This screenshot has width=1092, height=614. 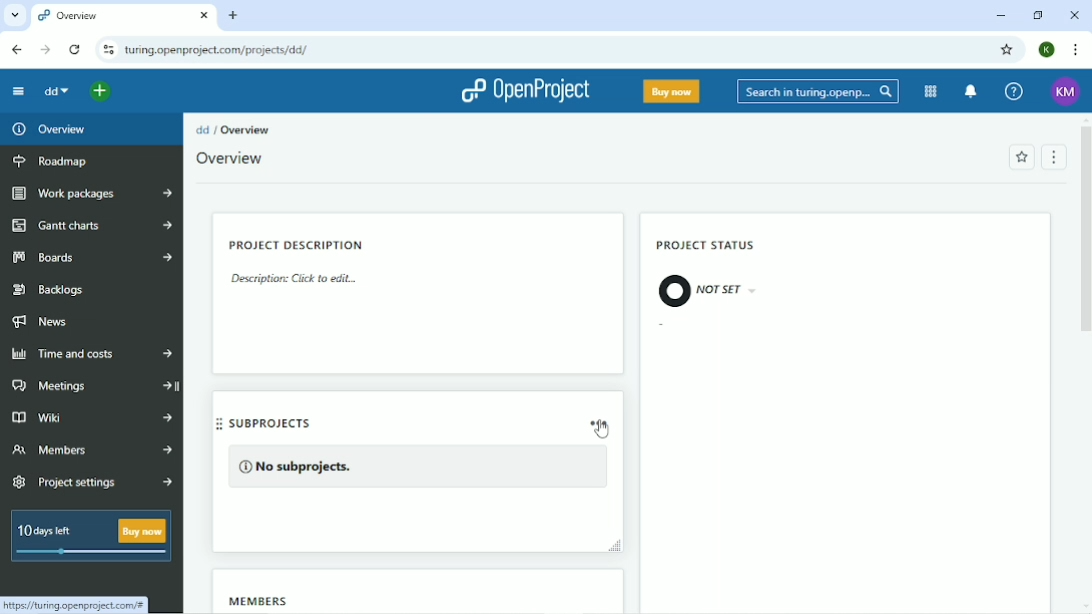 I want to click on Restore down, so click(x=1036, y=15).